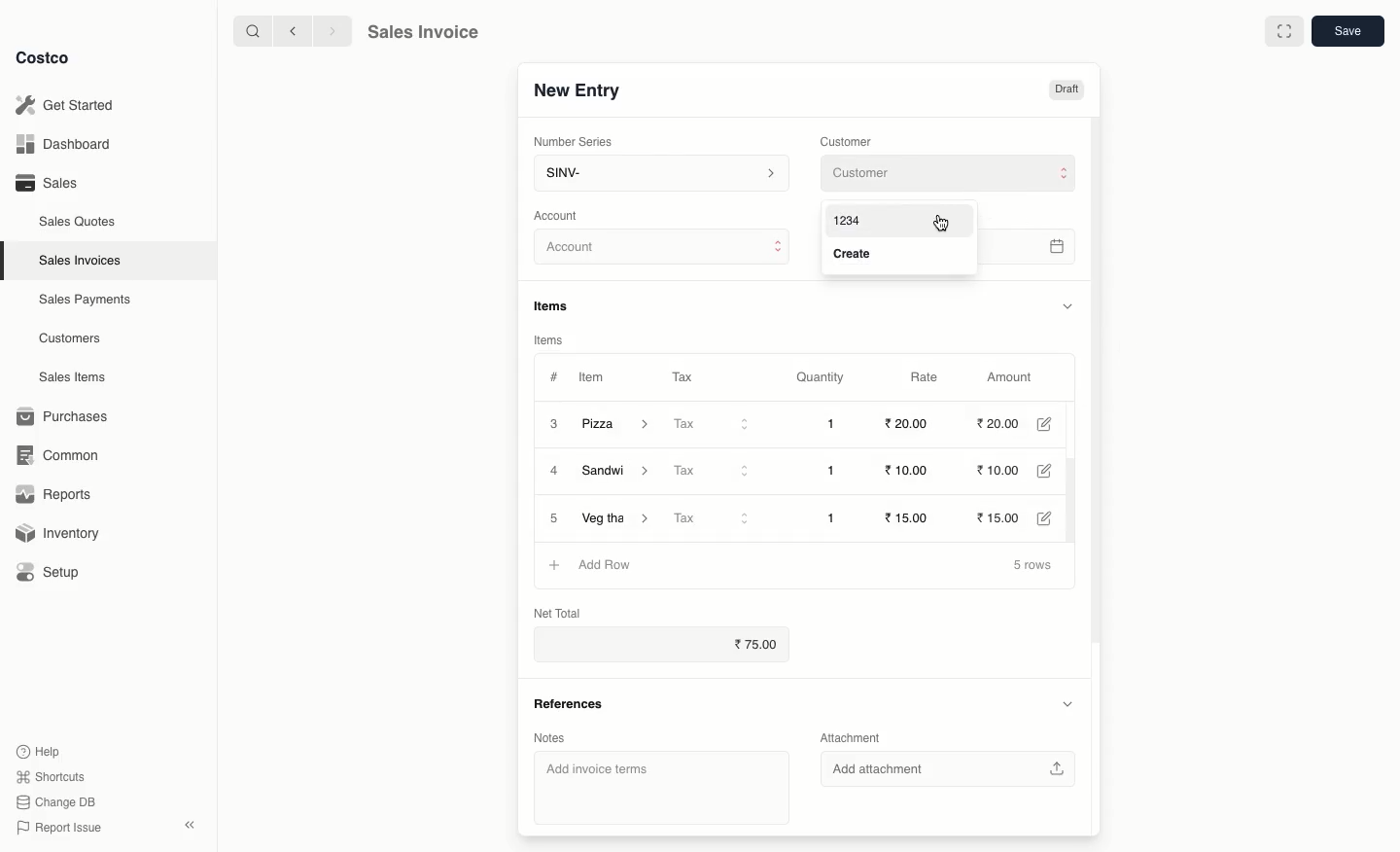 Image resolution: width=1400 pixels, height=852 pixels. What do you see at coordinates (1033, 566) in the screenshot?
I see `5 rows` at bounding box center [1033, 566].